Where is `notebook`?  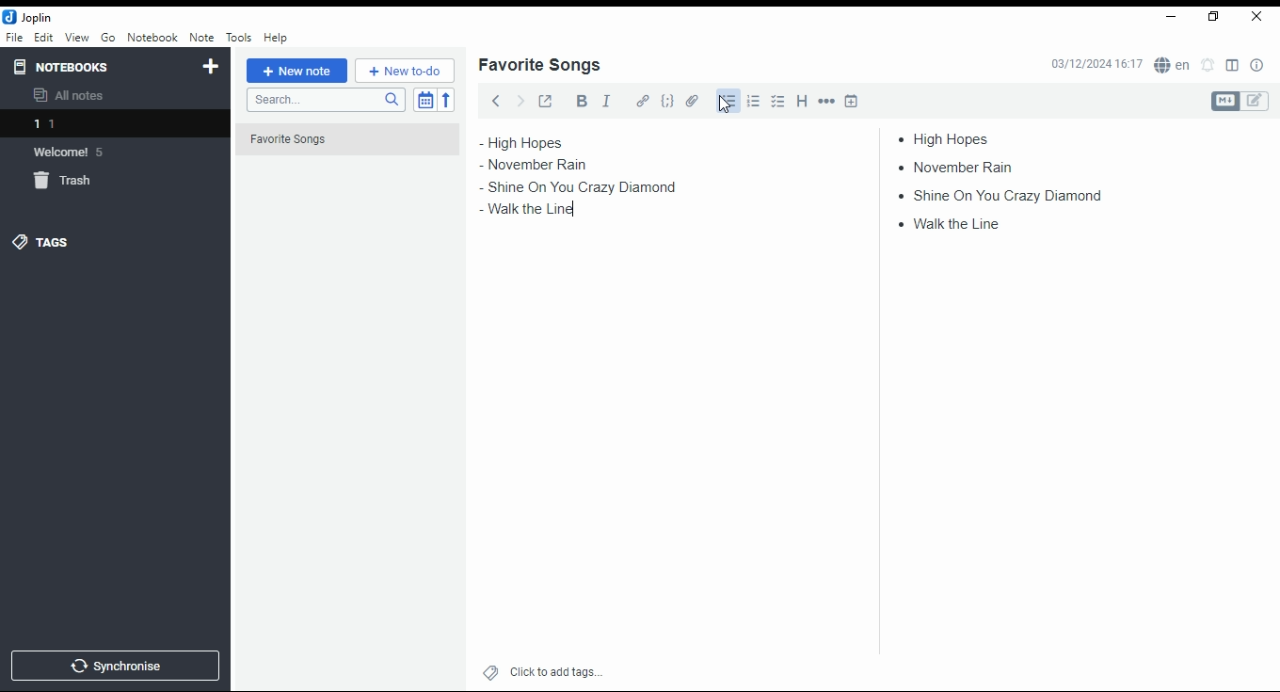
notebook is located at coordinates (152, 37).